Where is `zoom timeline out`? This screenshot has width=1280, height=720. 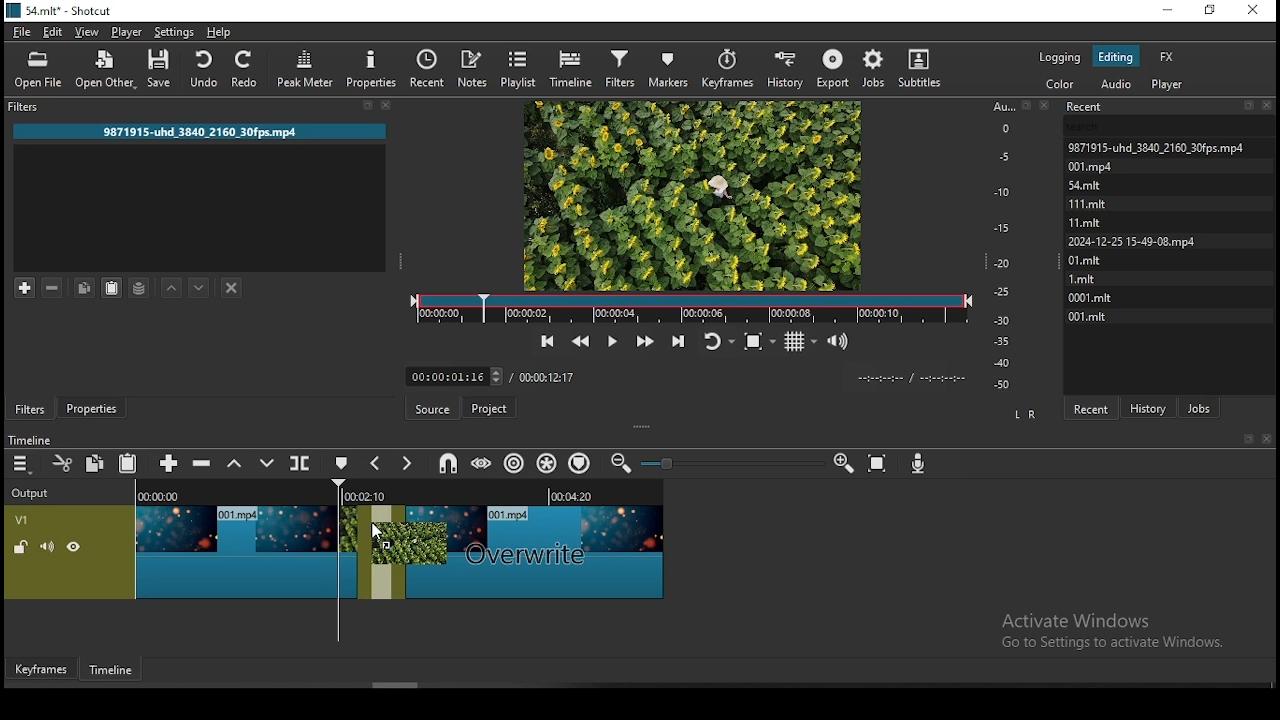 zoom timeline out is located at coordinates (842, 464).